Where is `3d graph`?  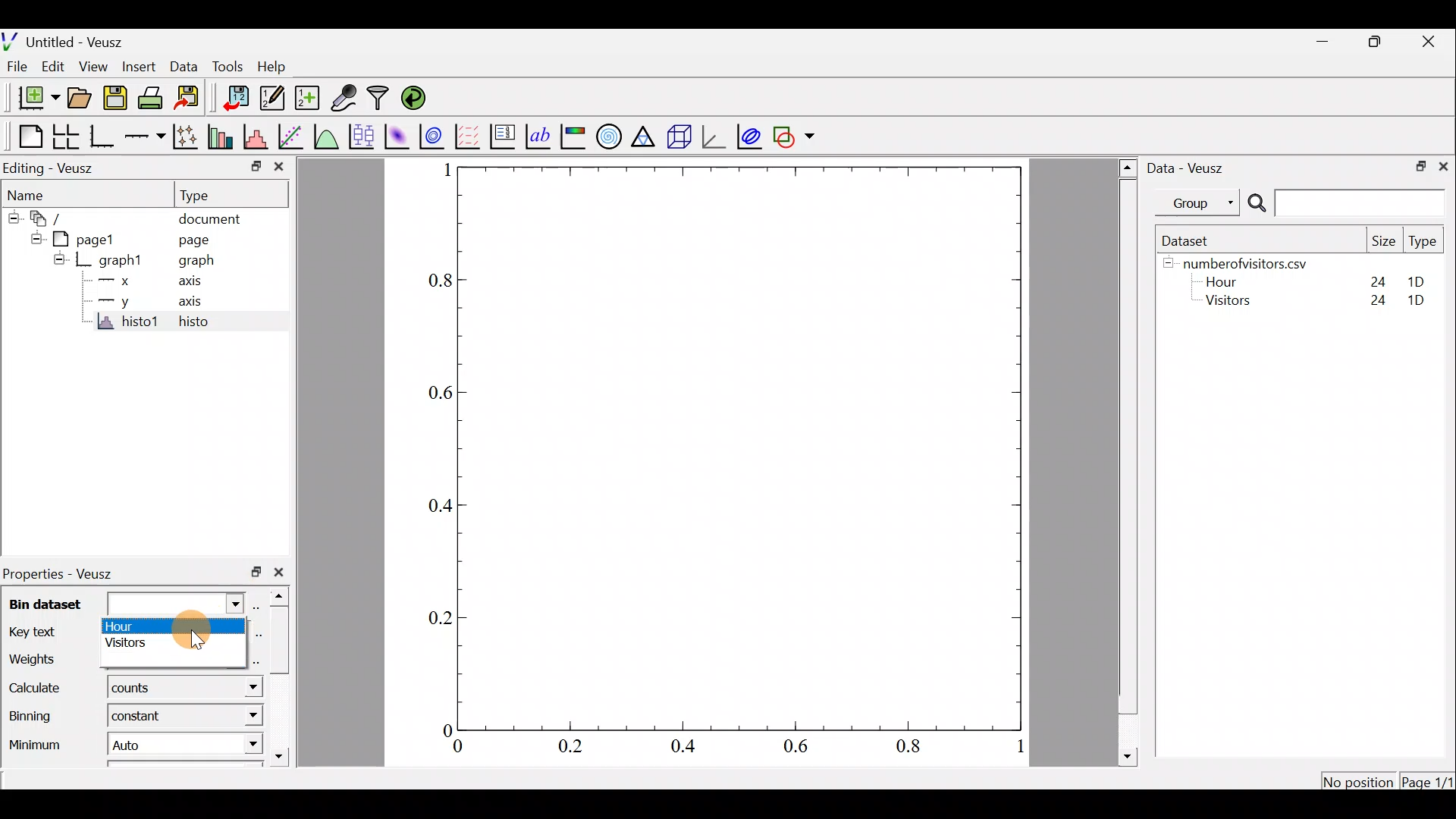
3d graph is located at coordinates (717, 136).